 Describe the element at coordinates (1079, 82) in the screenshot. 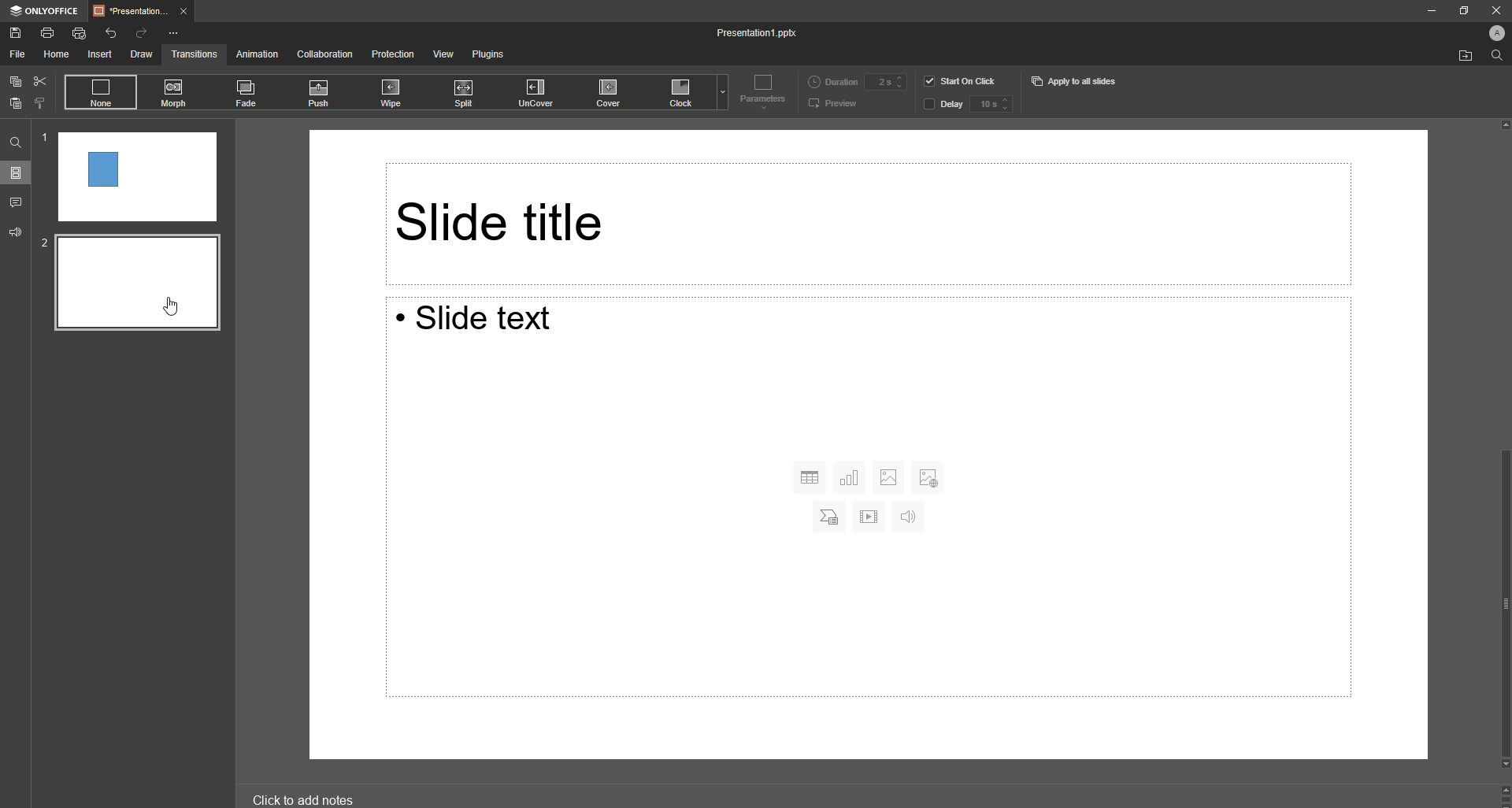

I see `Apply to all slides` at that location.